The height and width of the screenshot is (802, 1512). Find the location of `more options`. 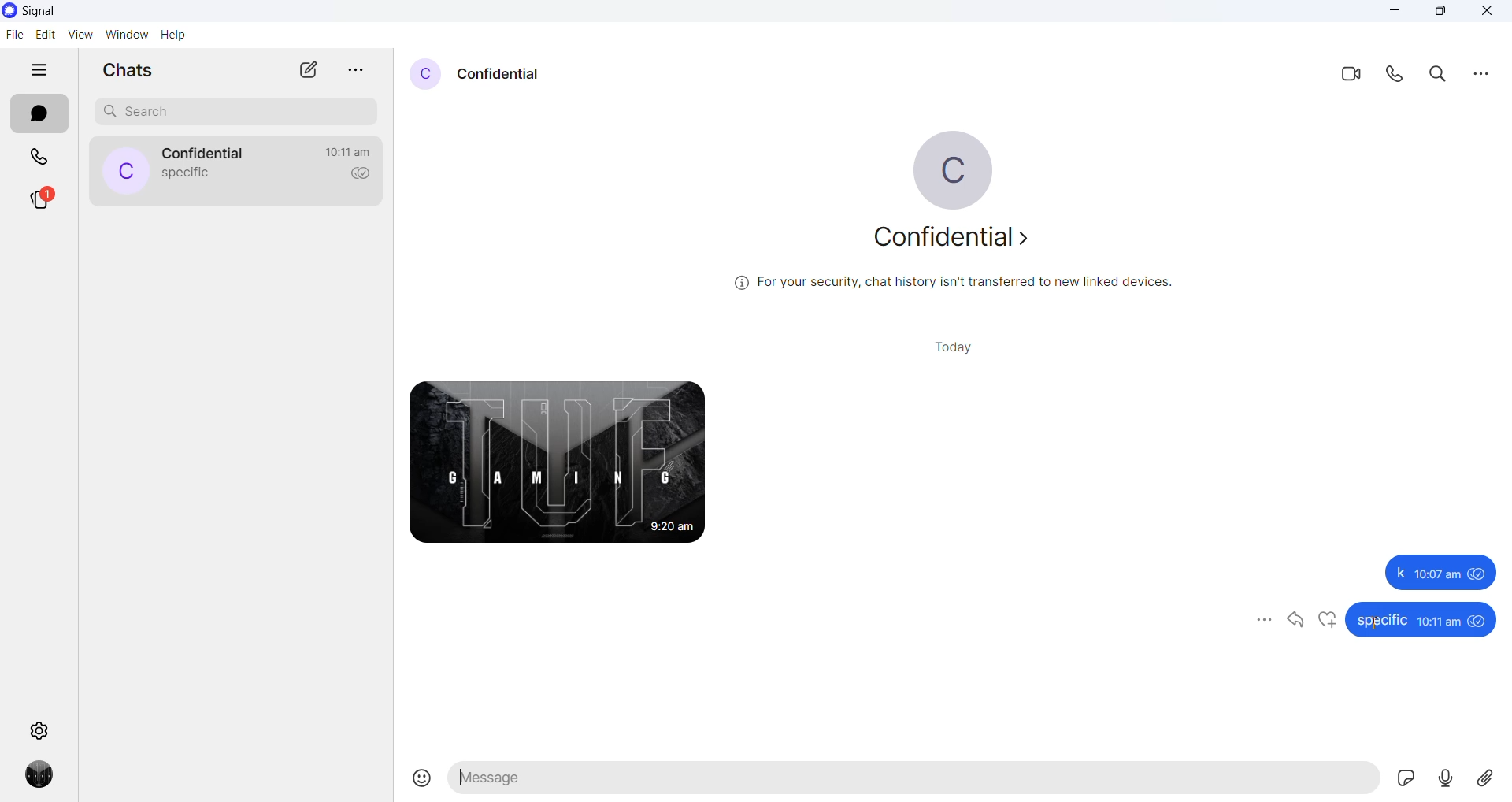

more options is located at coordinates (356, 69).